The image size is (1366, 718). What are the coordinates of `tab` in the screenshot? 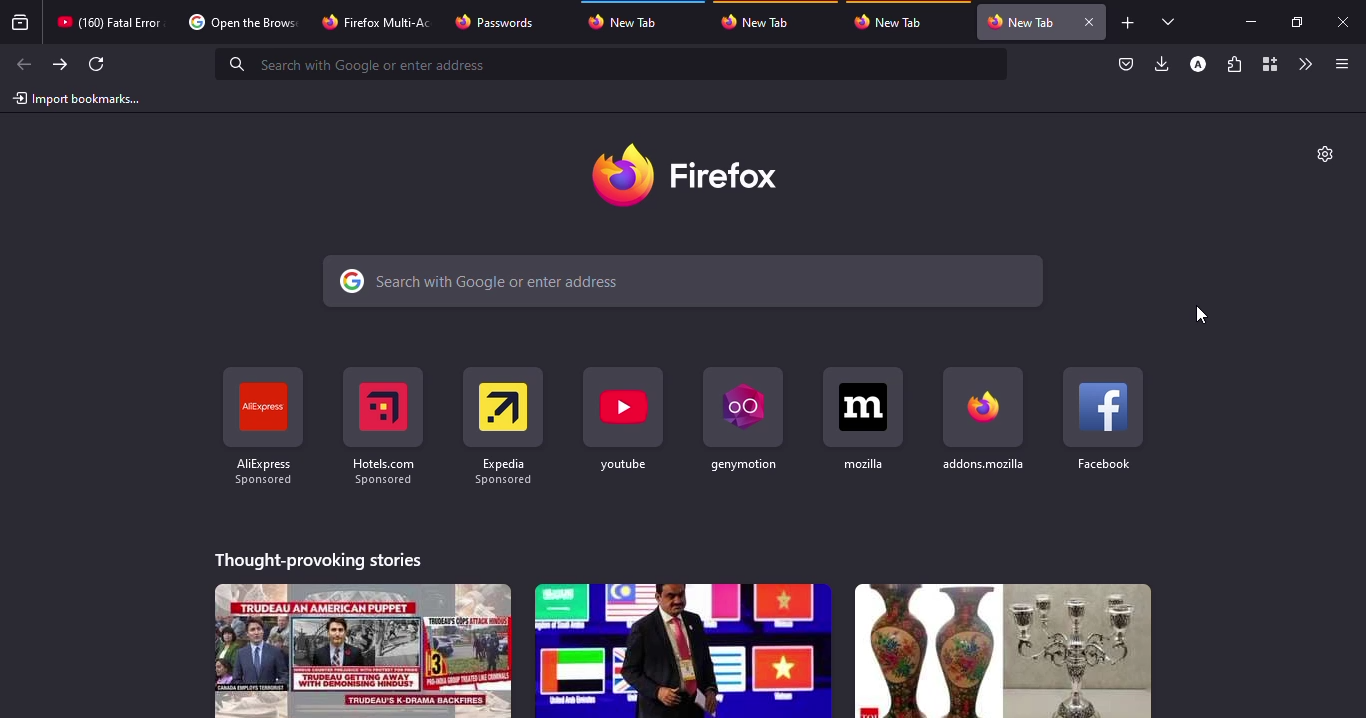 It's located at (503, 21).